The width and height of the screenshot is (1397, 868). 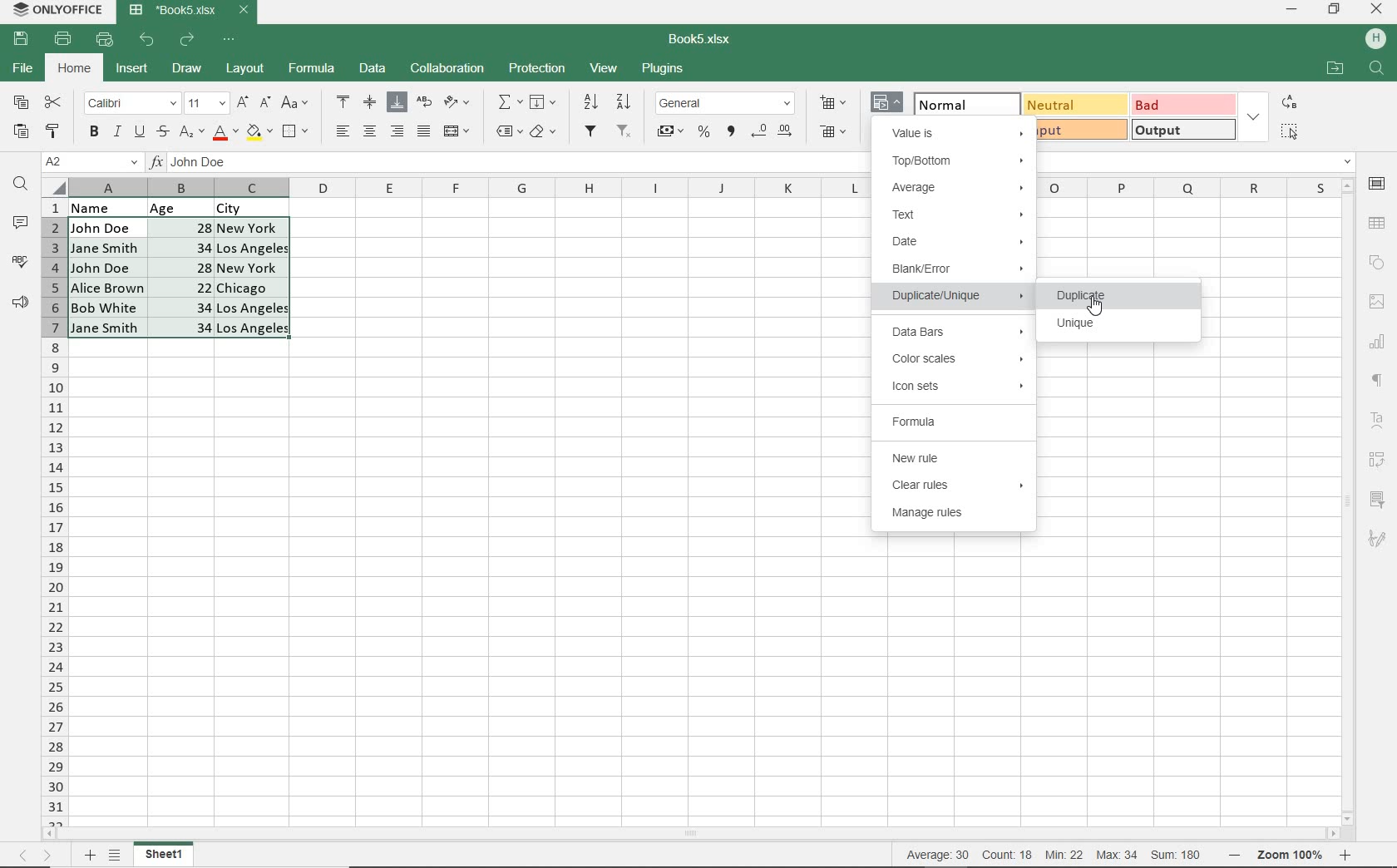 I want to click on DOCUMENT NAME, so click(x=706, y=40).